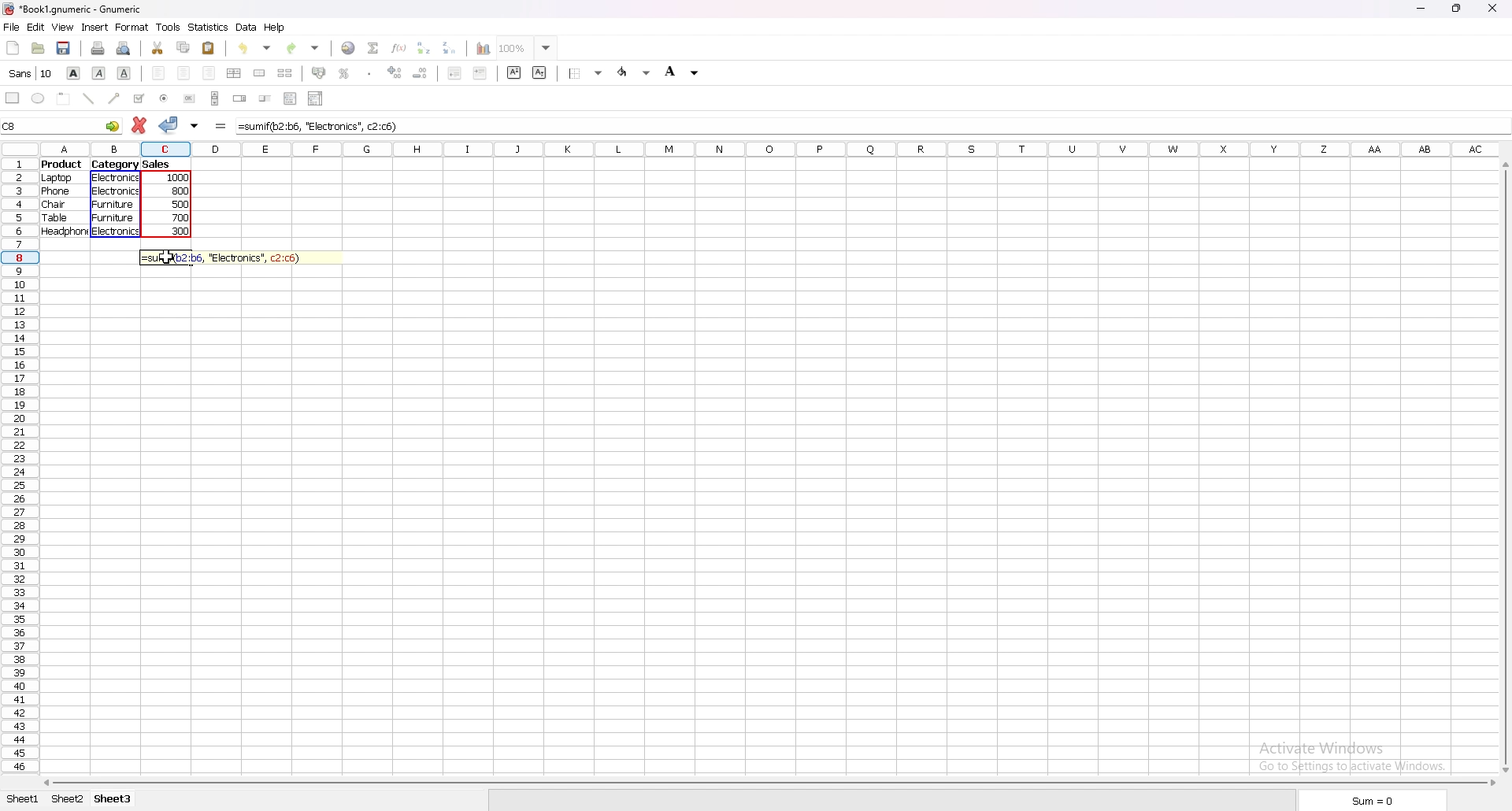 Image resolution: width=1512 pixels, height=811 pixels. Describe the element at coordinates (182, 232) in the screenshot. I see `300` at that location.